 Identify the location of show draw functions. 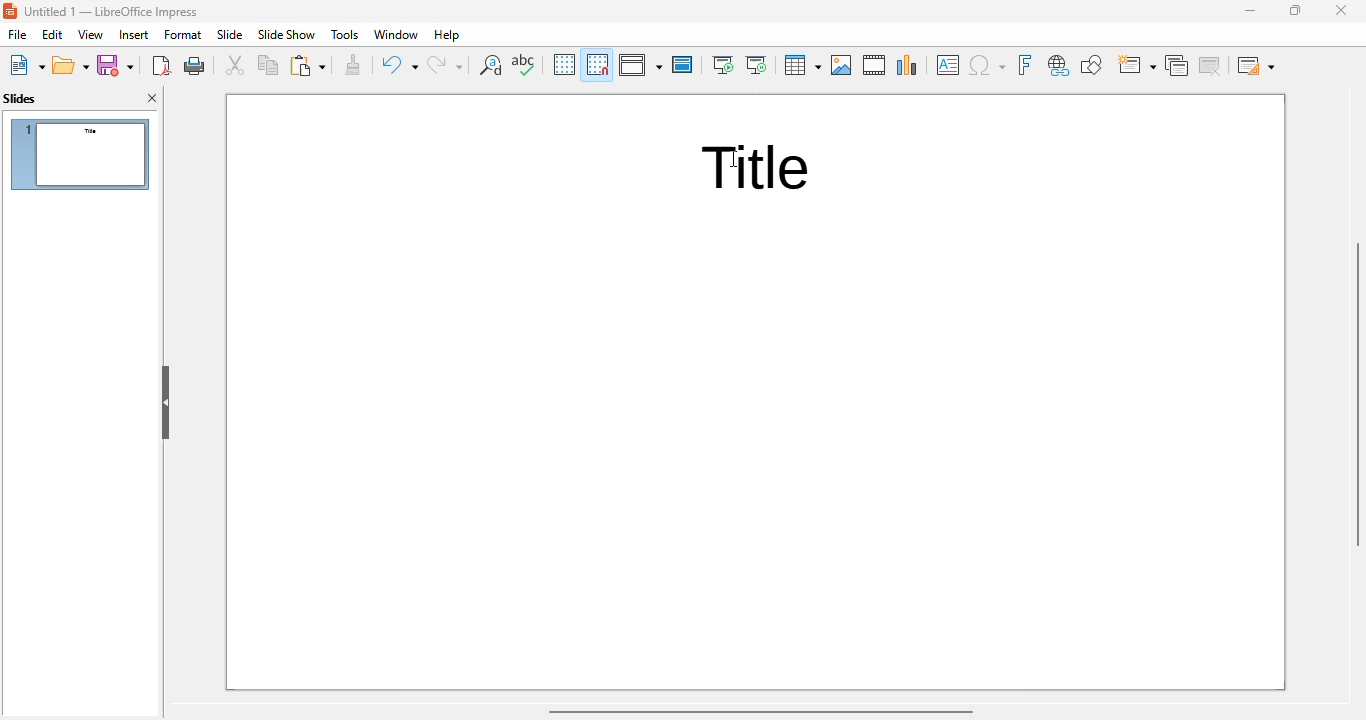
(1093, 65).